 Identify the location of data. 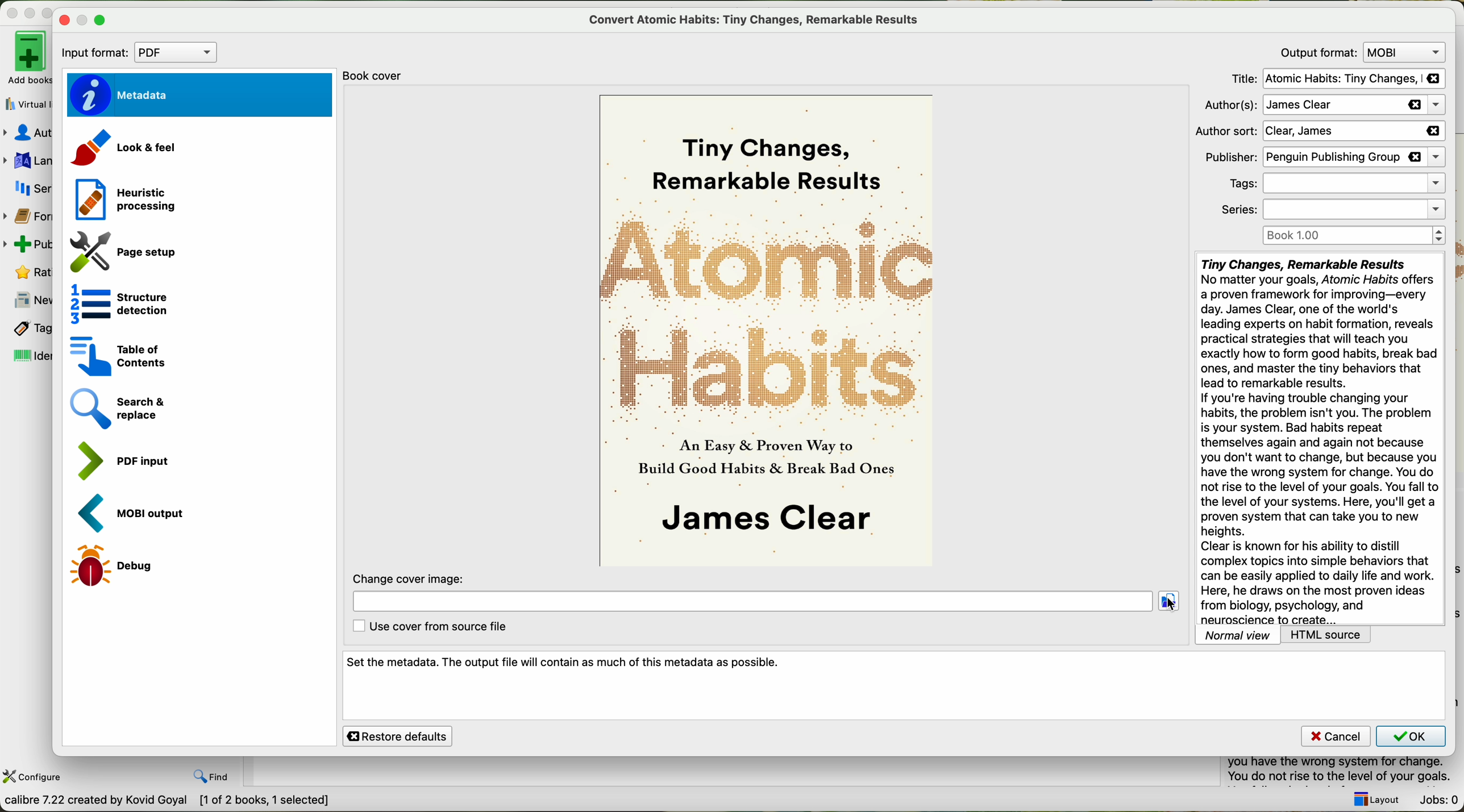
(168, 802).